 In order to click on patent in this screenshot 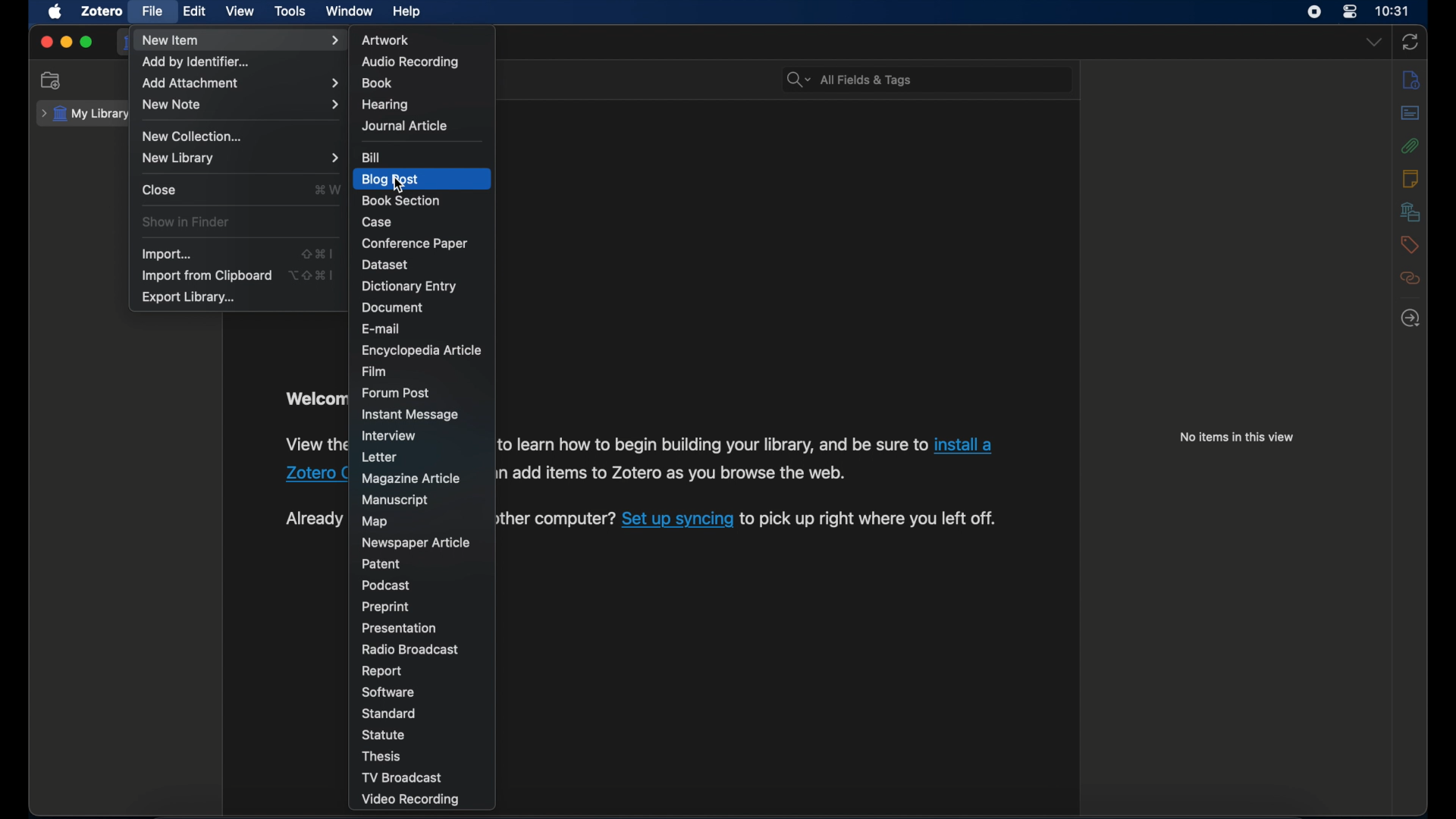, I will do `click(379, 563)`.